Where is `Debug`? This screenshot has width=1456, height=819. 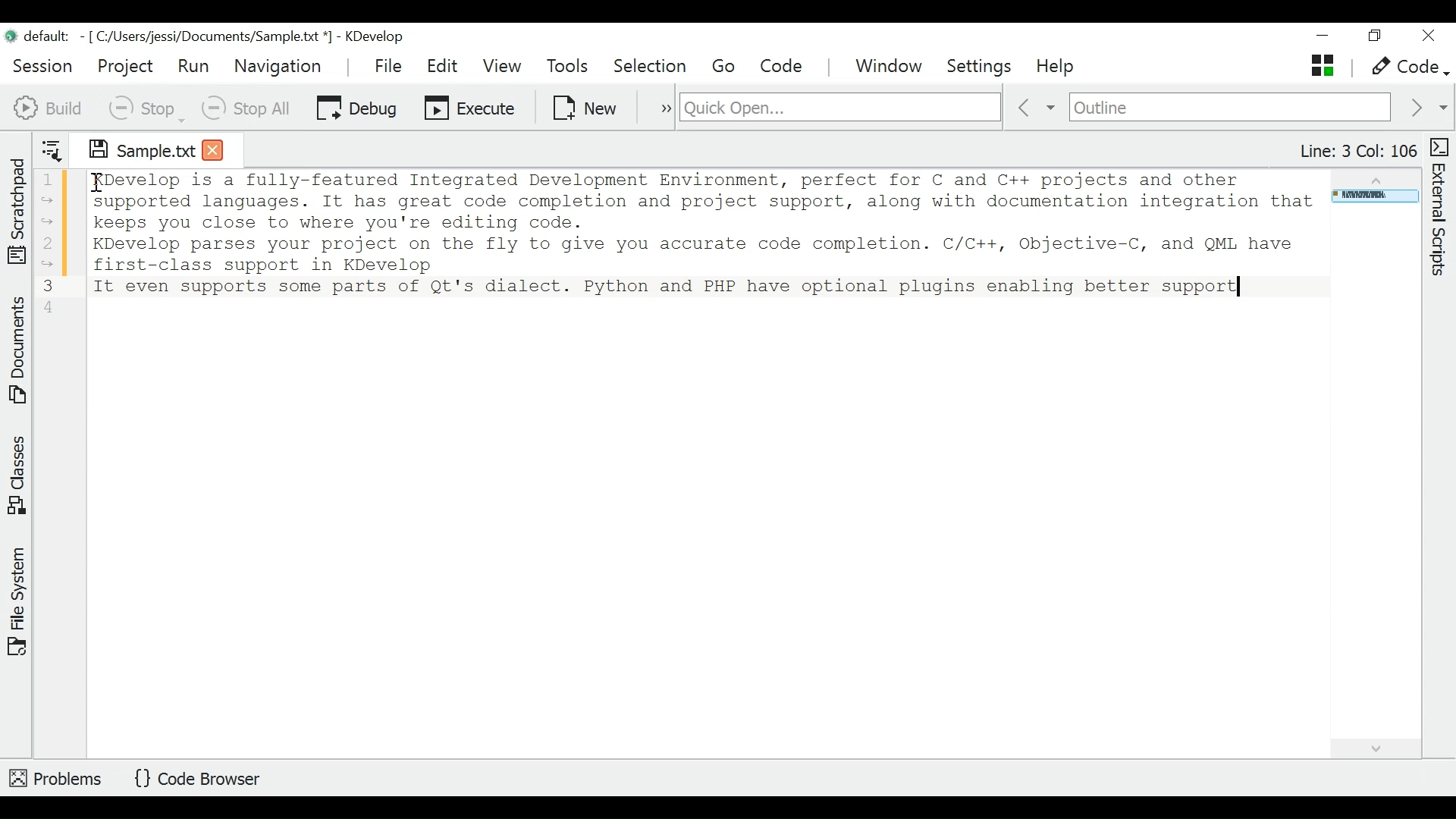 Debug is located at coordinates (356, 106).